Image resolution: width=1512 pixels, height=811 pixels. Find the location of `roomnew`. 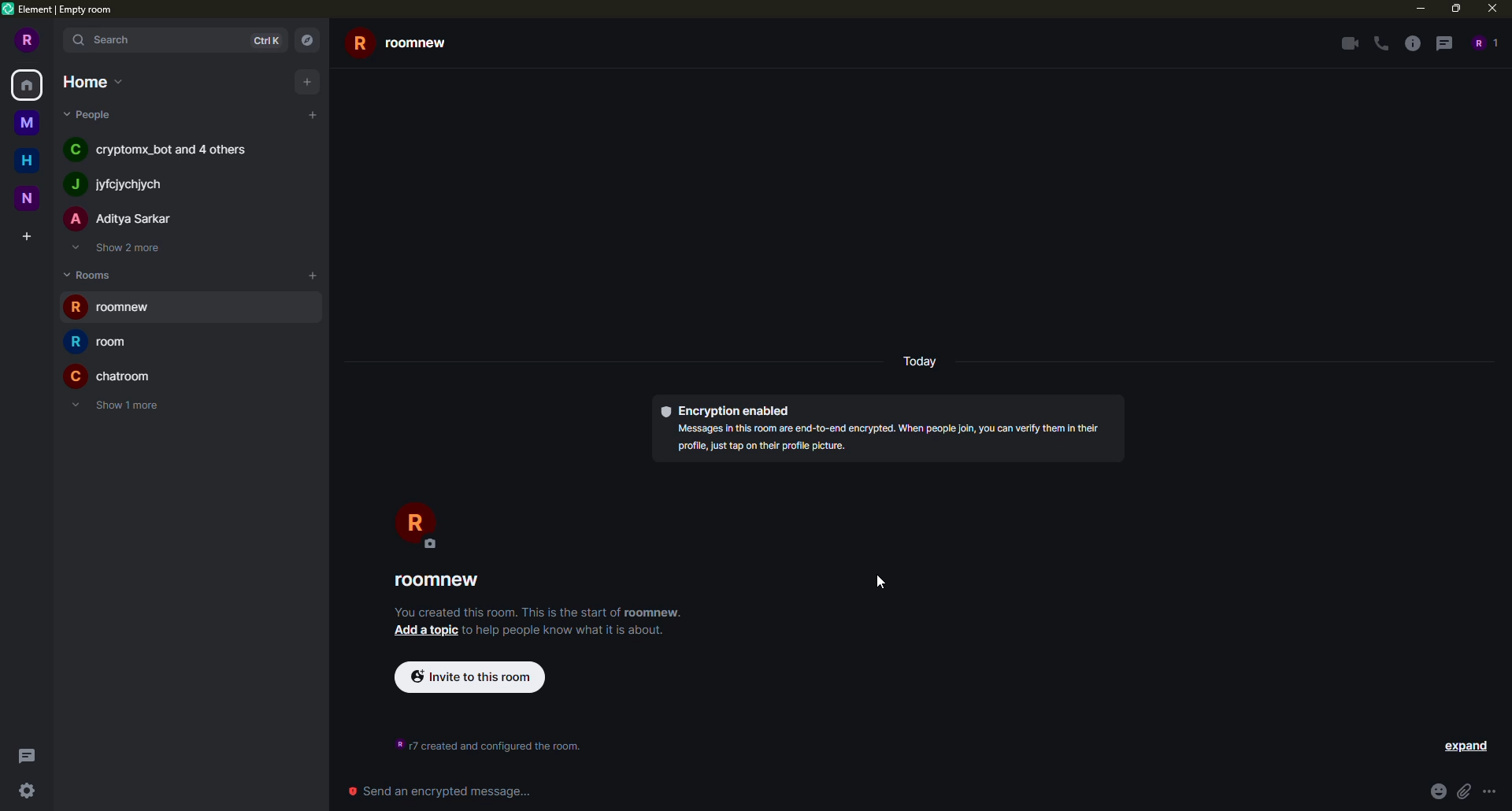

roomnew is located at coordinates (435, 583).